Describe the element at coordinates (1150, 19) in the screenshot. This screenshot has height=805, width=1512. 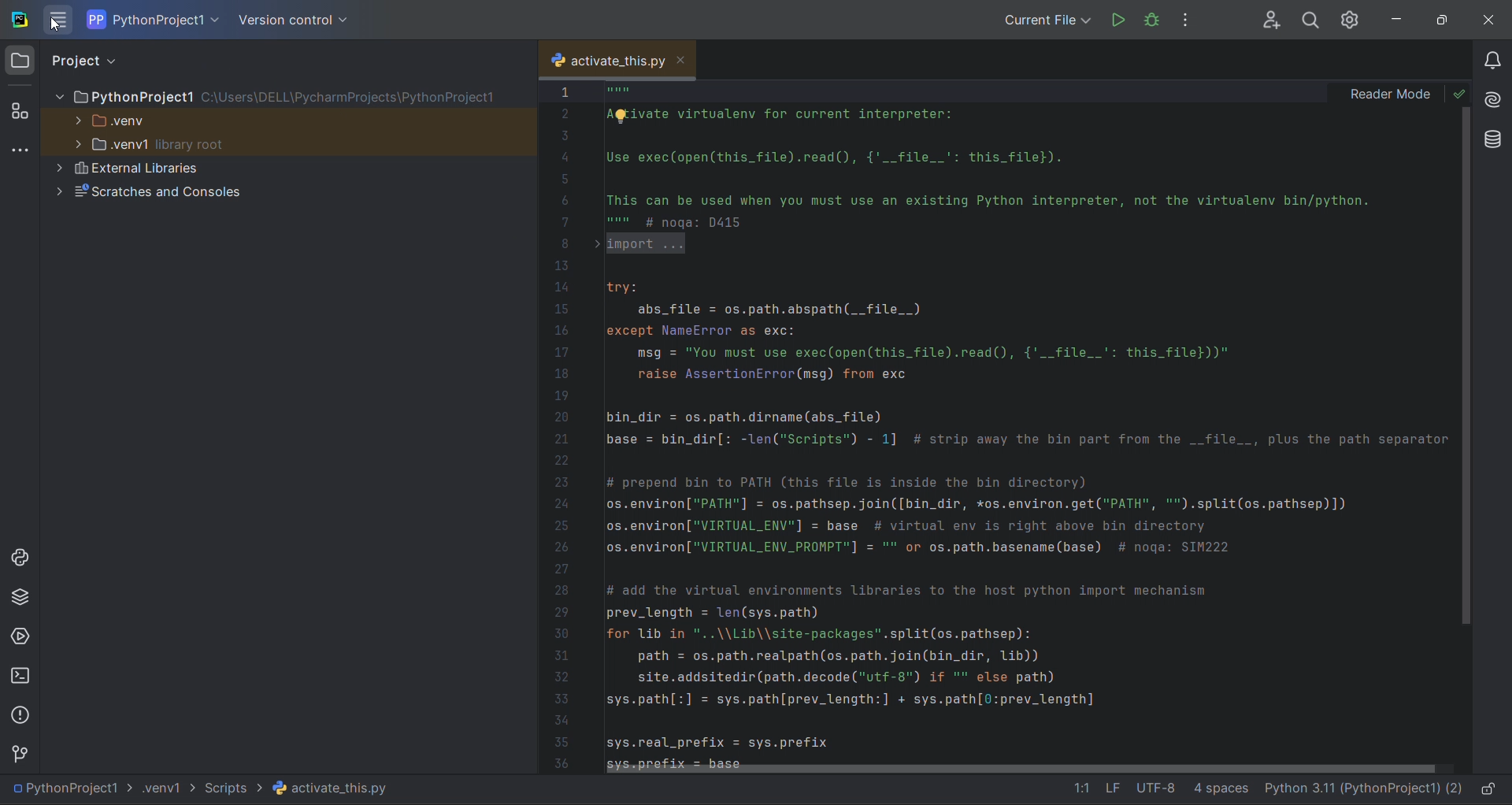
I see `debug` at that location.